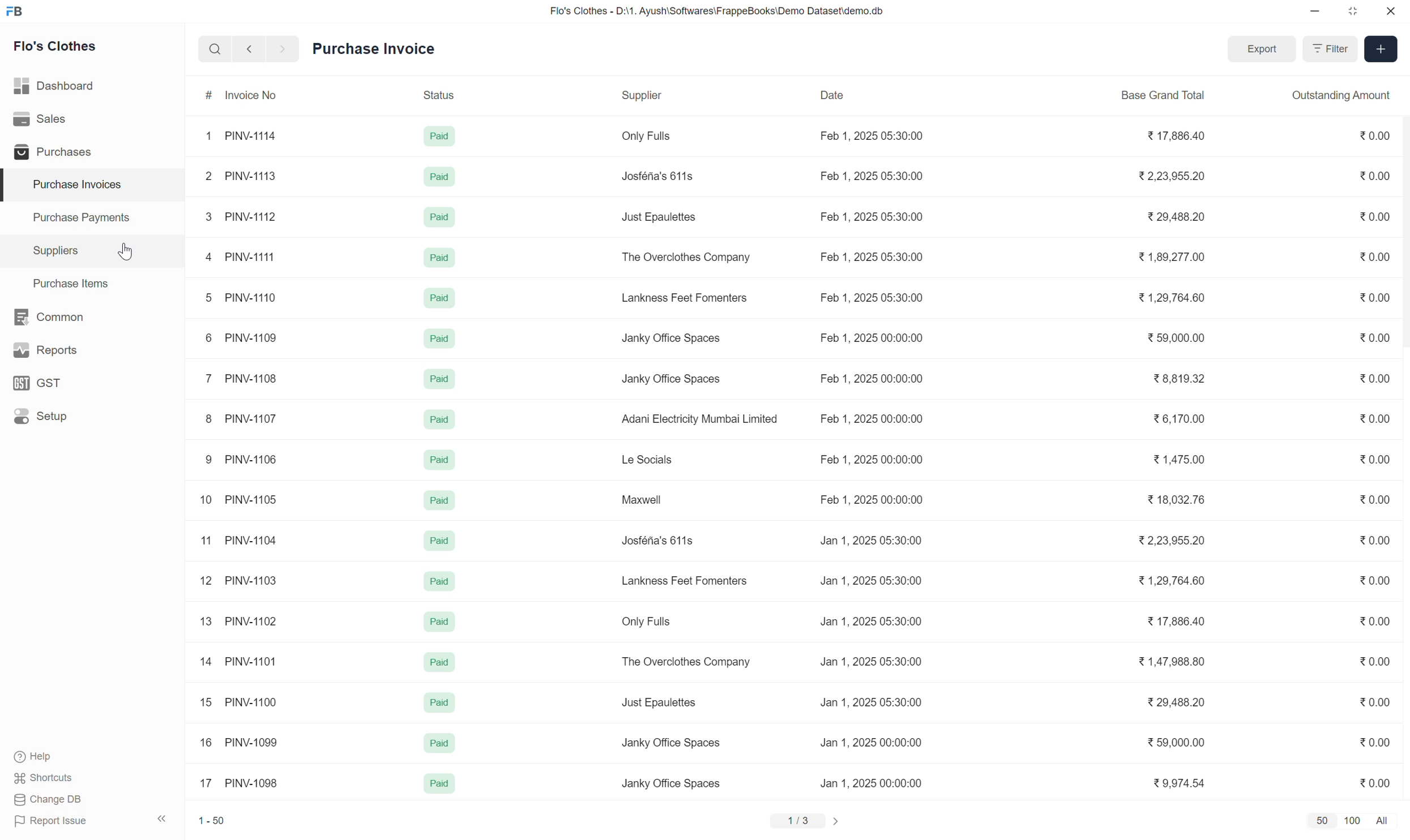 The image size is (1410, 840). What do you see at coordinates (1178, 459) in the screenshot?
I see `1,475.00` at bounding box center [1178, 459].